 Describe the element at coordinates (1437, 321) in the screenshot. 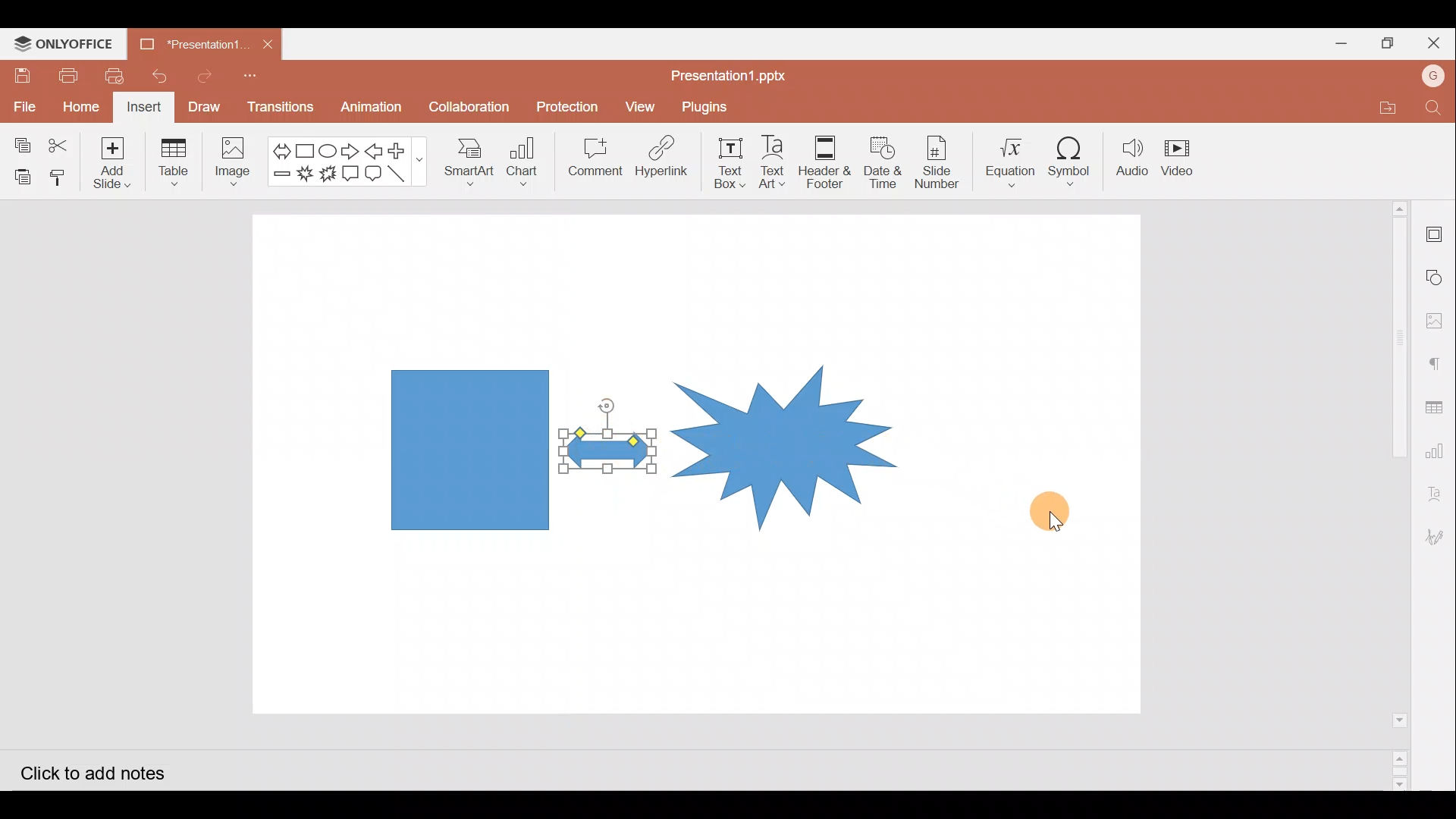

I see `Image settings` at that location.